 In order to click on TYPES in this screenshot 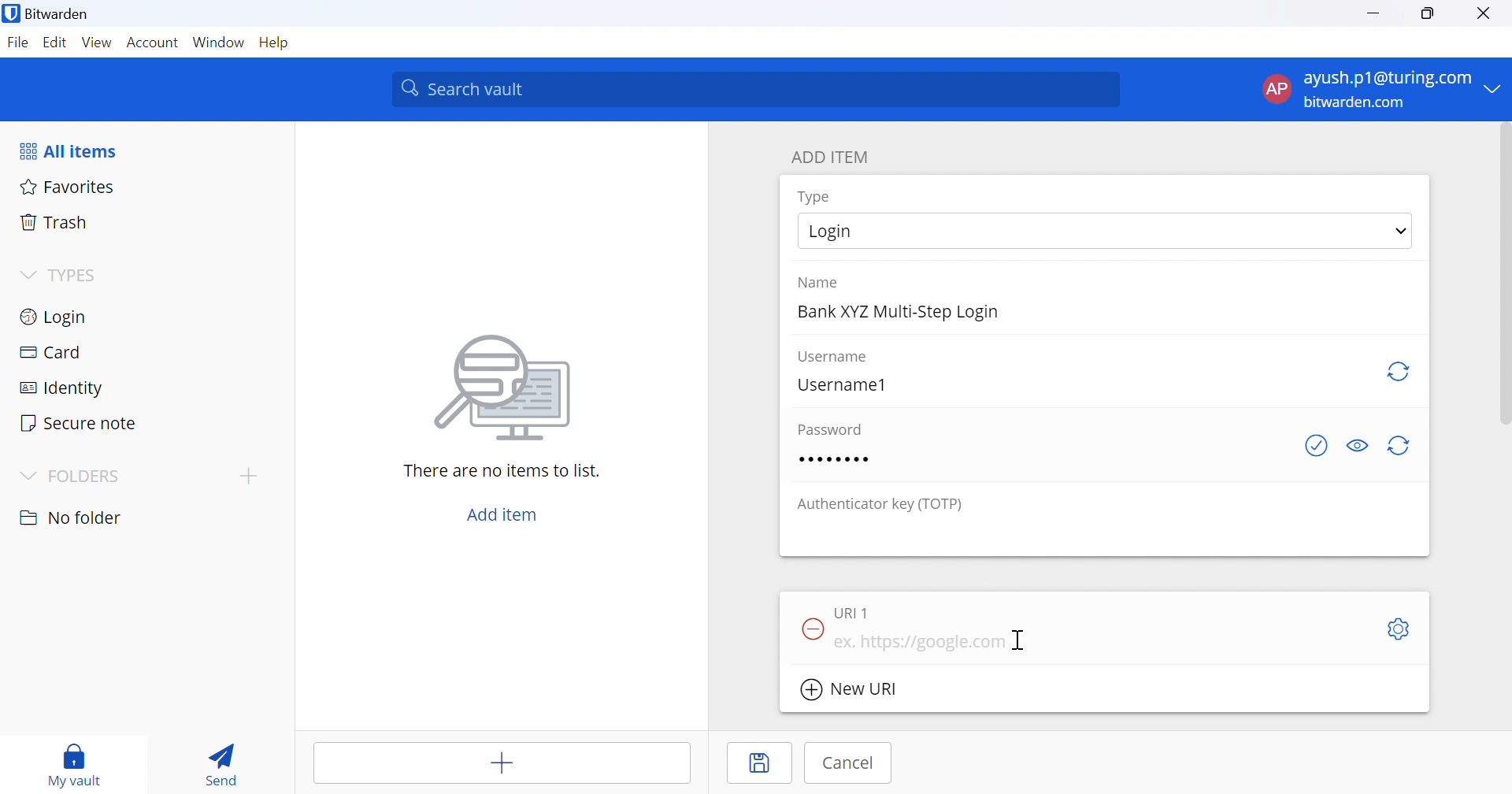, I will do `click(77, 276)`.